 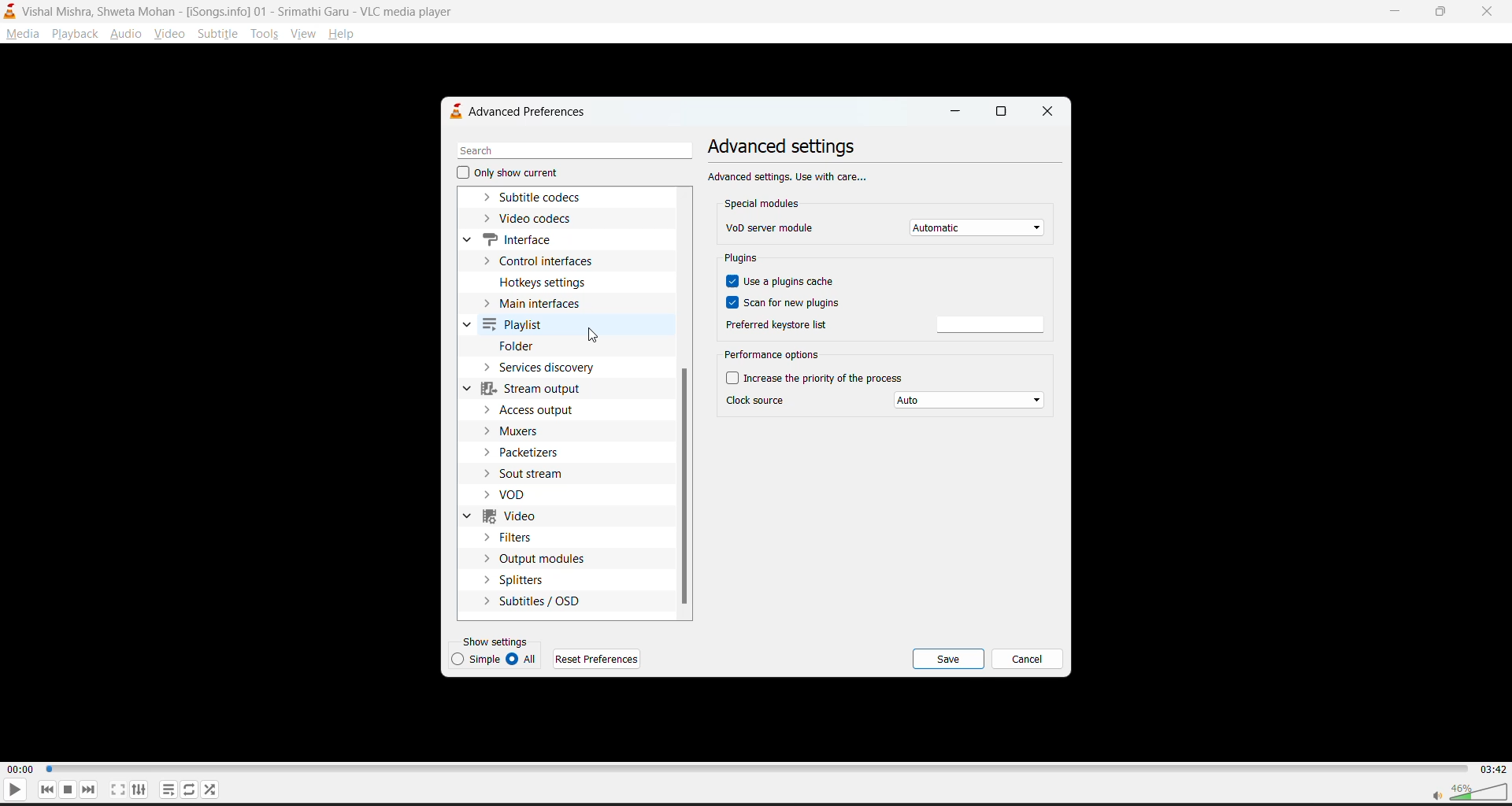 What do you see at coordinates (513, 433) in the screenshot?
I see `muxers` at bounding box center [513, 433].